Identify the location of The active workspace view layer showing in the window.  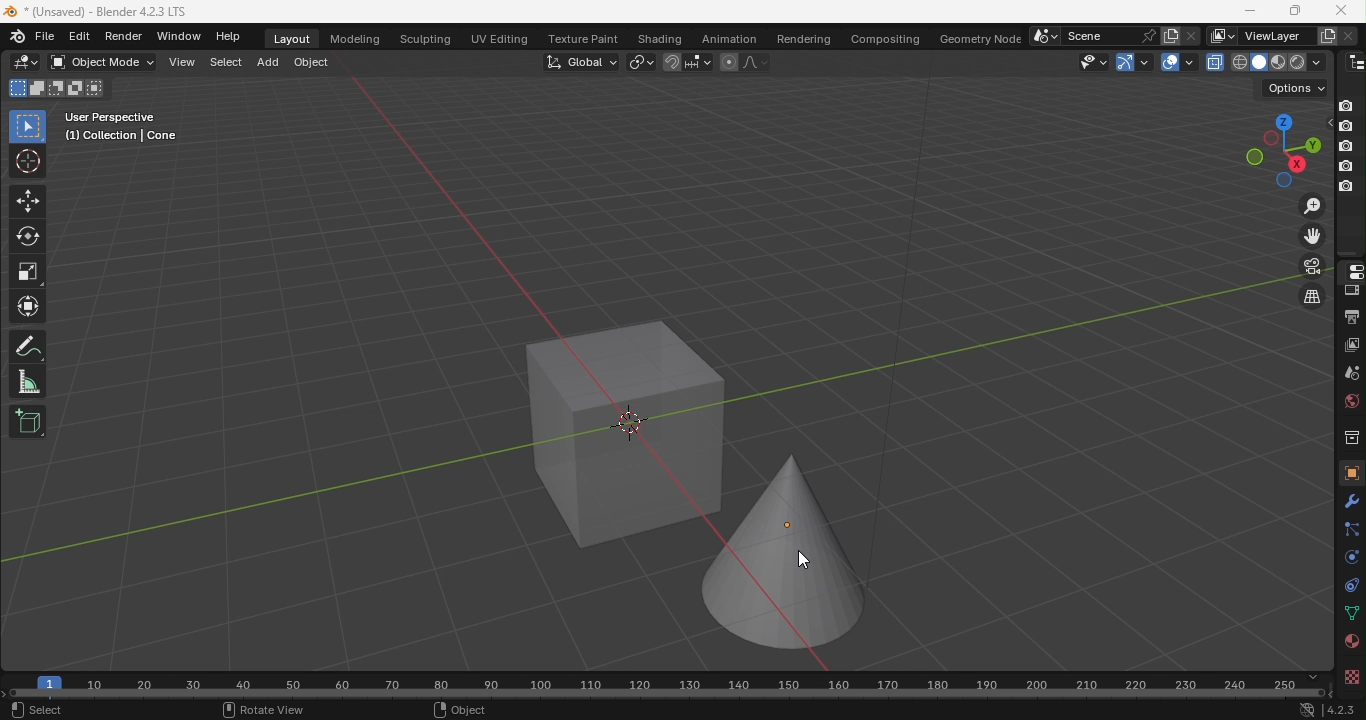
(1222, 36).